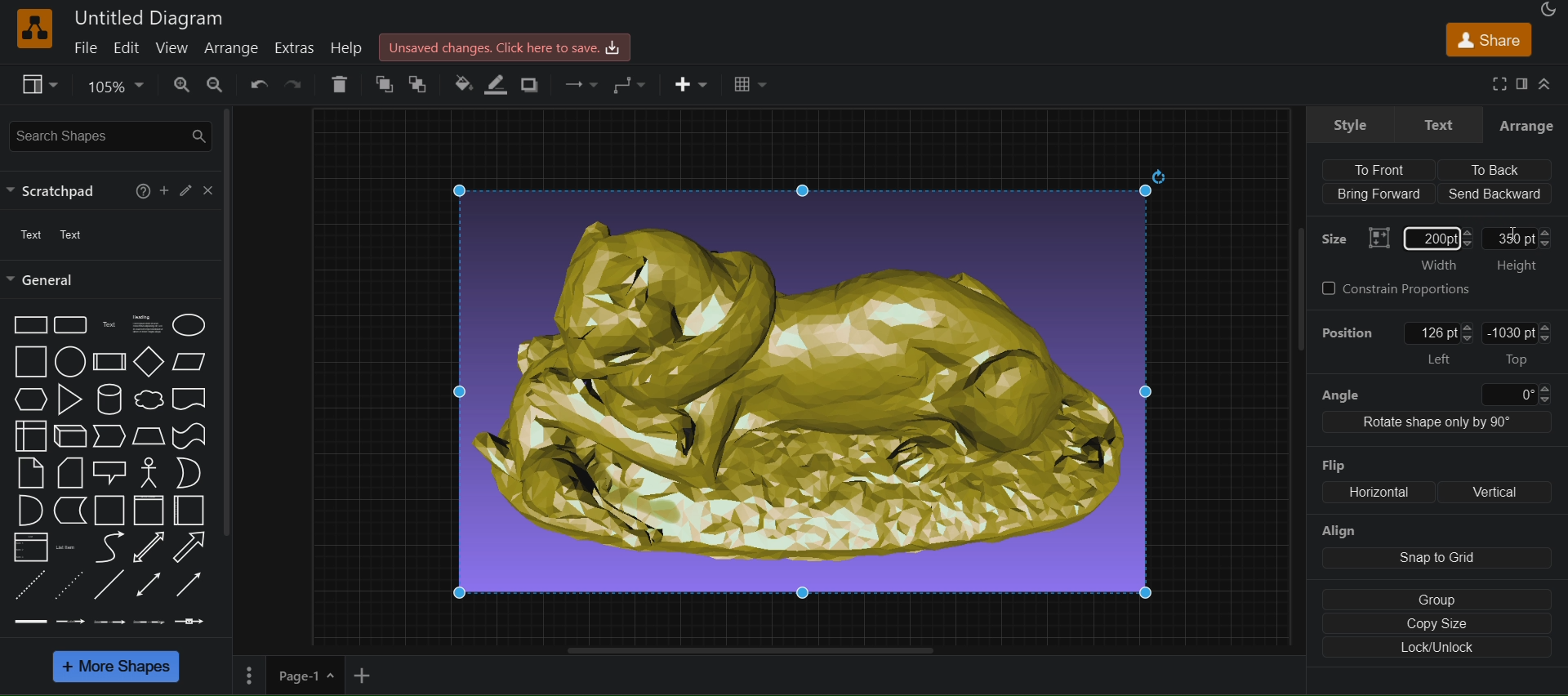 This screenshot has height=696, width=1568. What do you see at coordinates (498, 86) in the screenshot?
I see `line color` at bounding box center [498, 86].